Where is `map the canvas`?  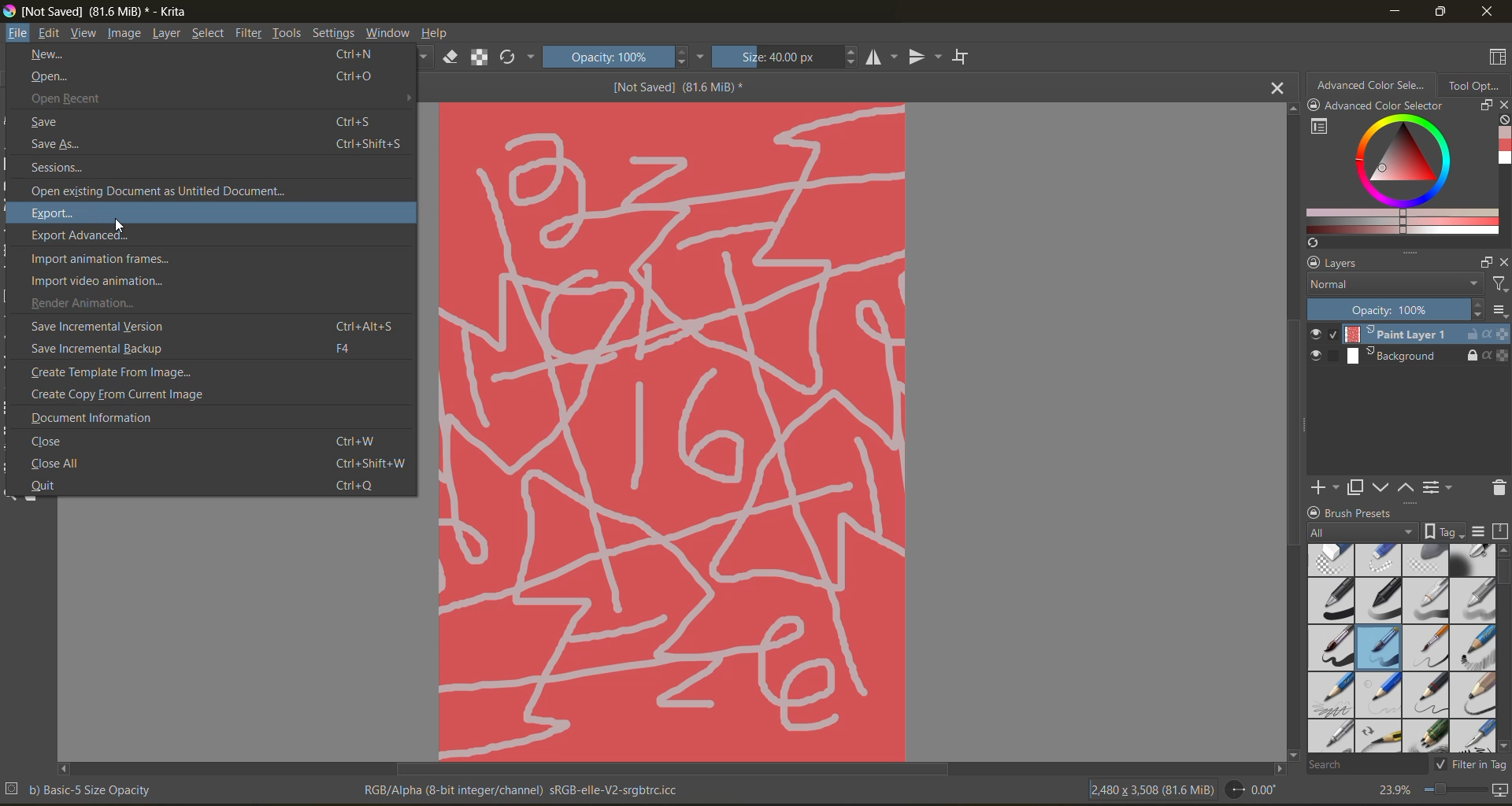
map the canvas is located at coordinates (1502, 793).